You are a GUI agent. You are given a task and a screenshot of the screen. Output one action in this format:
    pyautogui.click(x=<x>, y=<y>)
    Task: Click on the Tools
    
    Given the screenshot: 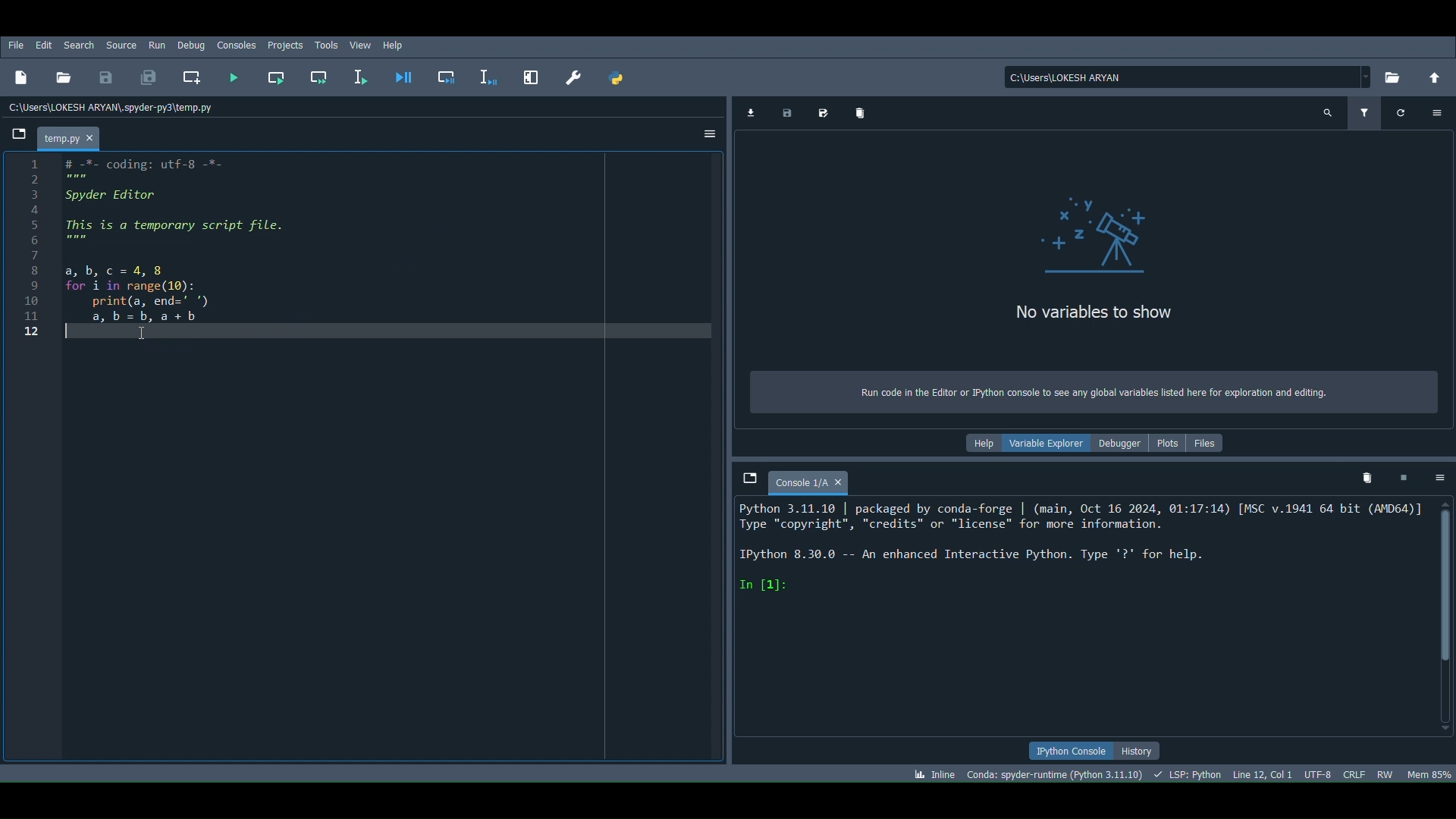 What is the action you would take?
    pyautogui.click(x=326, y=45)
    